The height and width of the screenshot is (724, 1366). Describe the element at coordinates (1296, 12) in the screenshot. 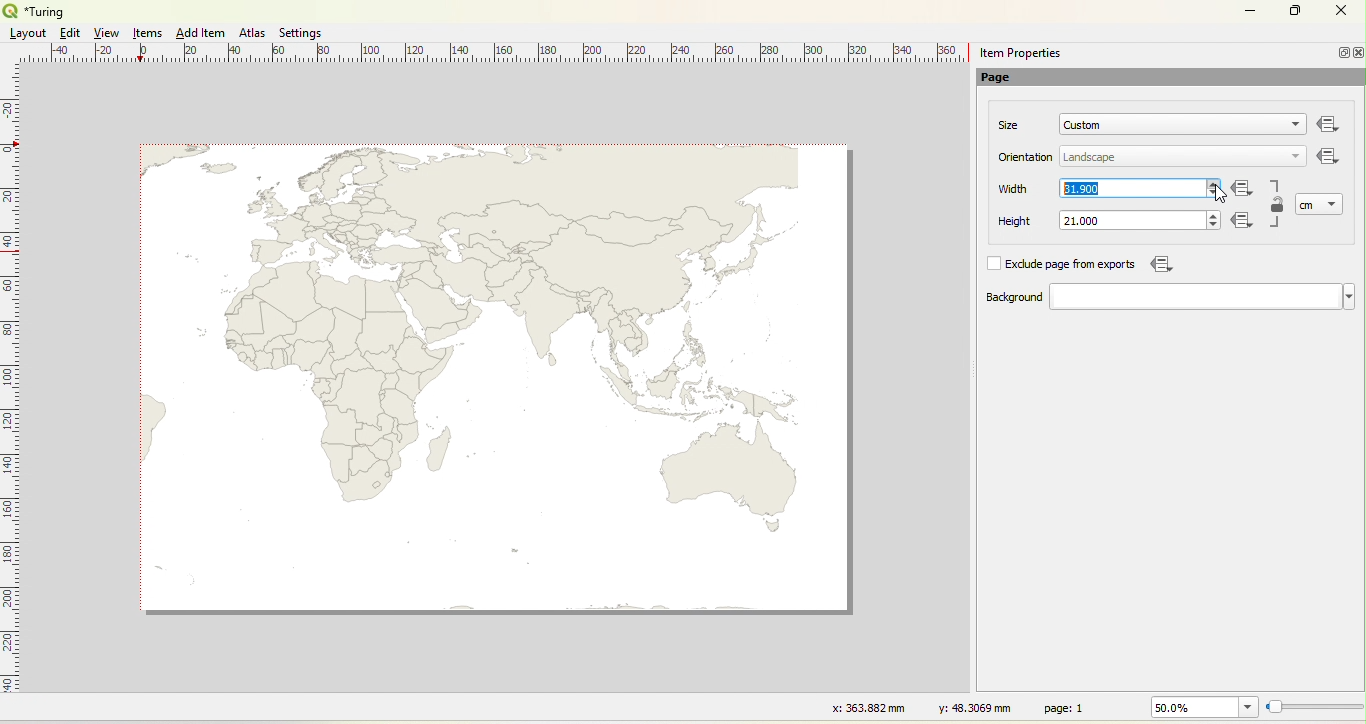

I see `Maximize` at that location.